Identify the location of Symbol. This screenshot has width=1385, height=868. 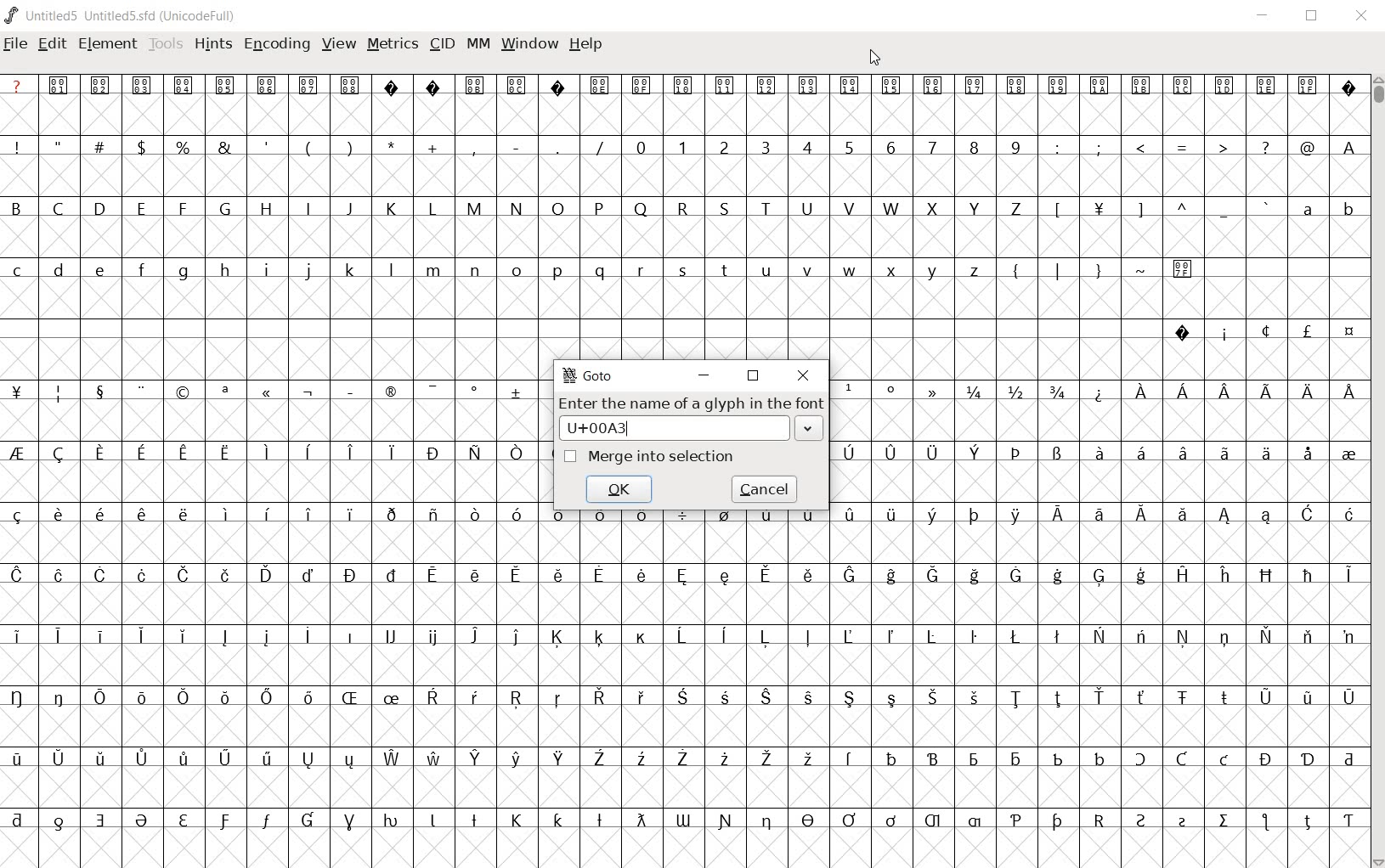
(223, 637).